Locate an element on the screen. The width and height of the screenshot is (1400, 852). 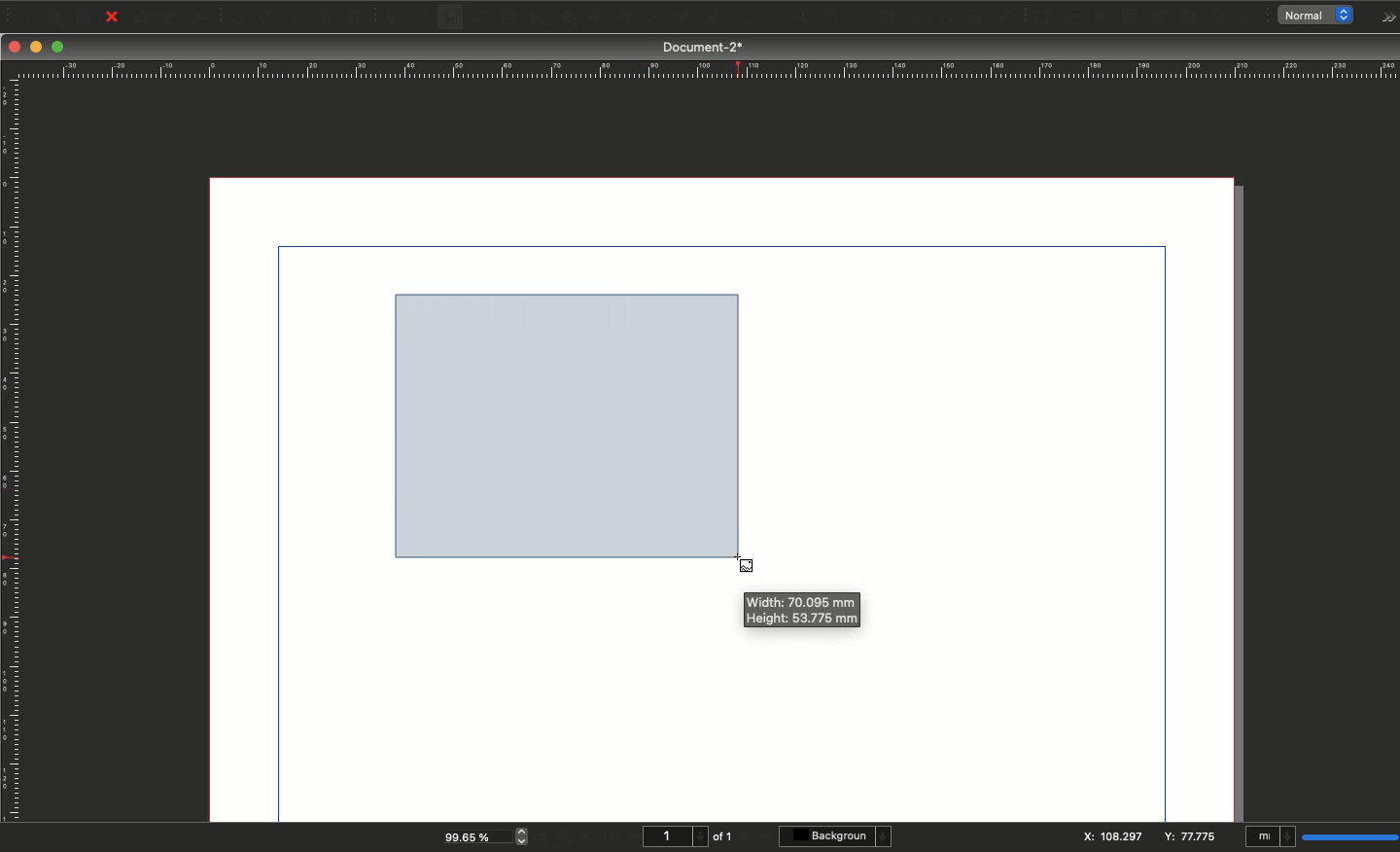
zoom in and out is located at coordinates (525, 835).